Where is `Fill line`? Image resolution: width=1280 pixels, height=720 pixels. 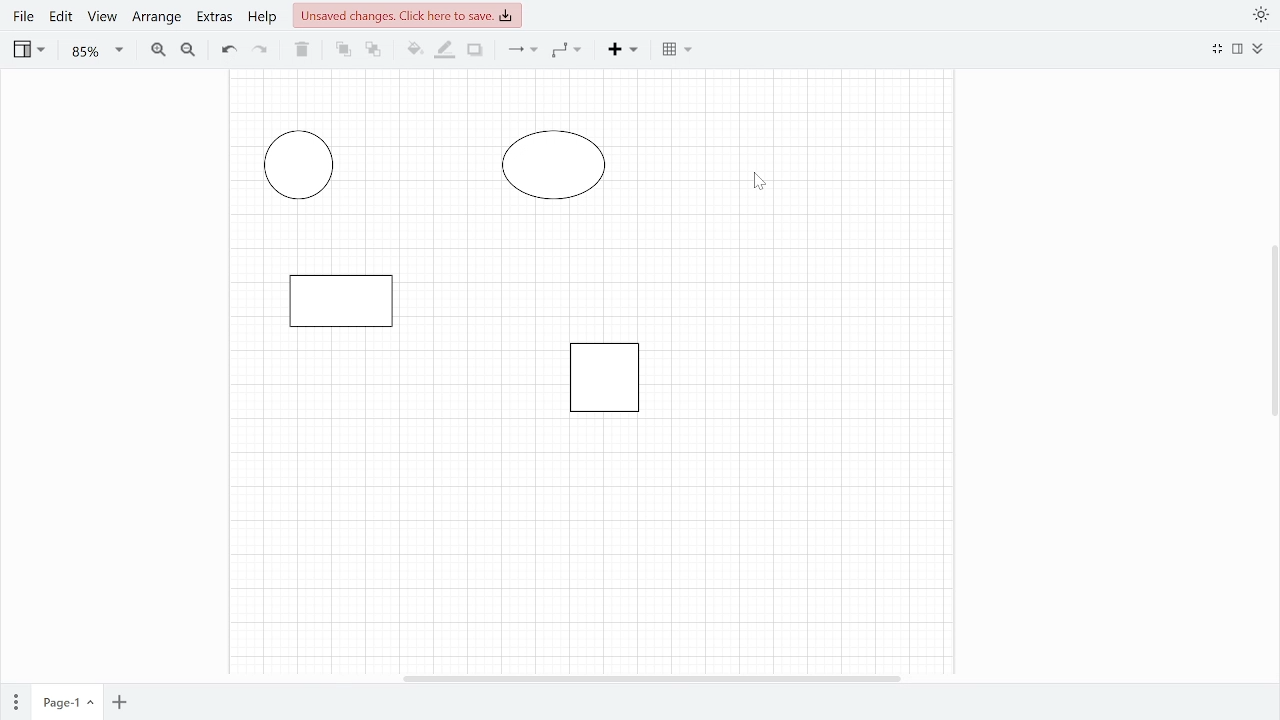
Fill line is located at coordinates (445, 49).